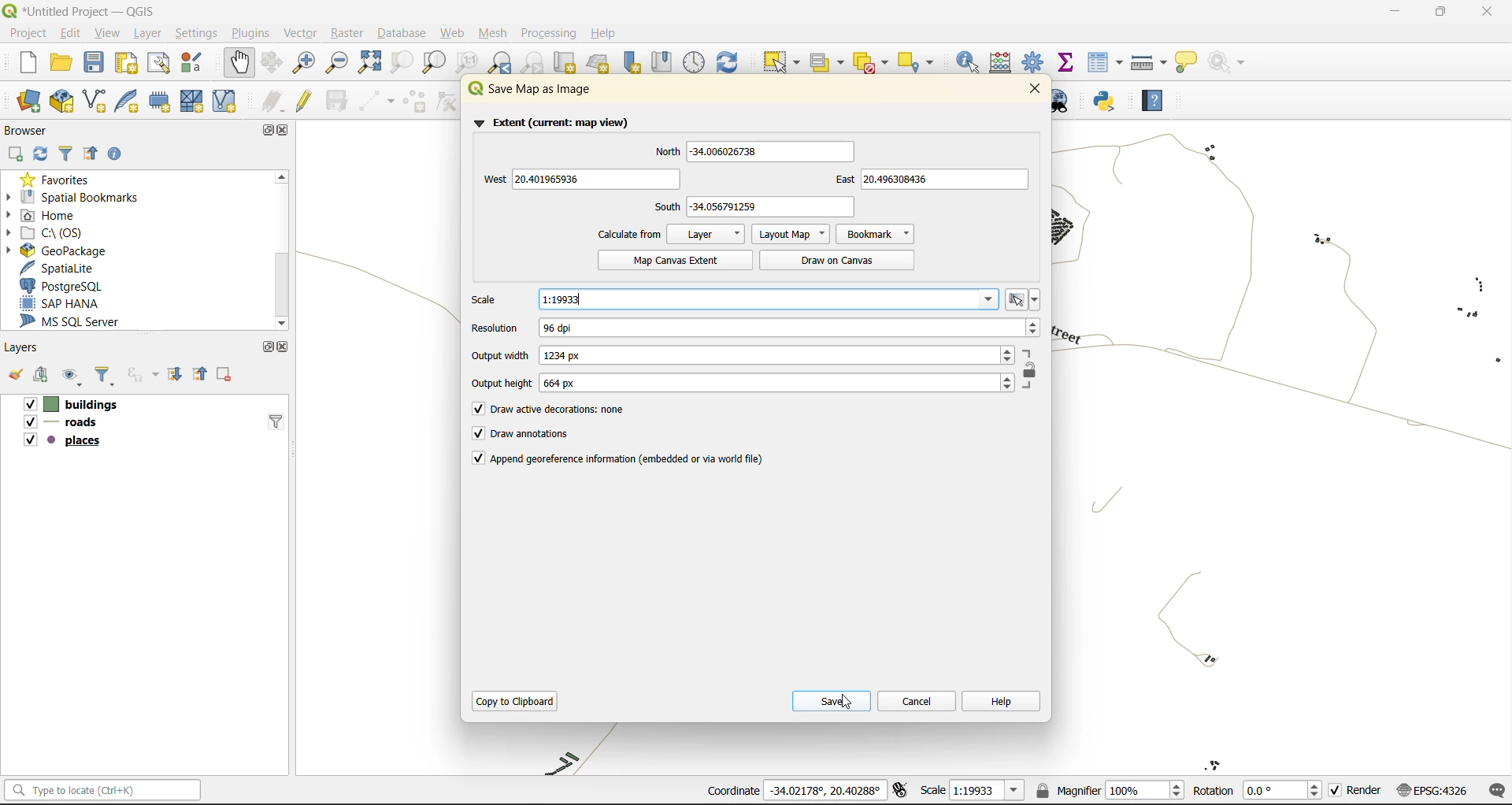 This screenshot has height=805, width=1512. What do you see at coordinates (1035, 90) in the screenshot?
I see `close` at bounding box center [1035, 90].